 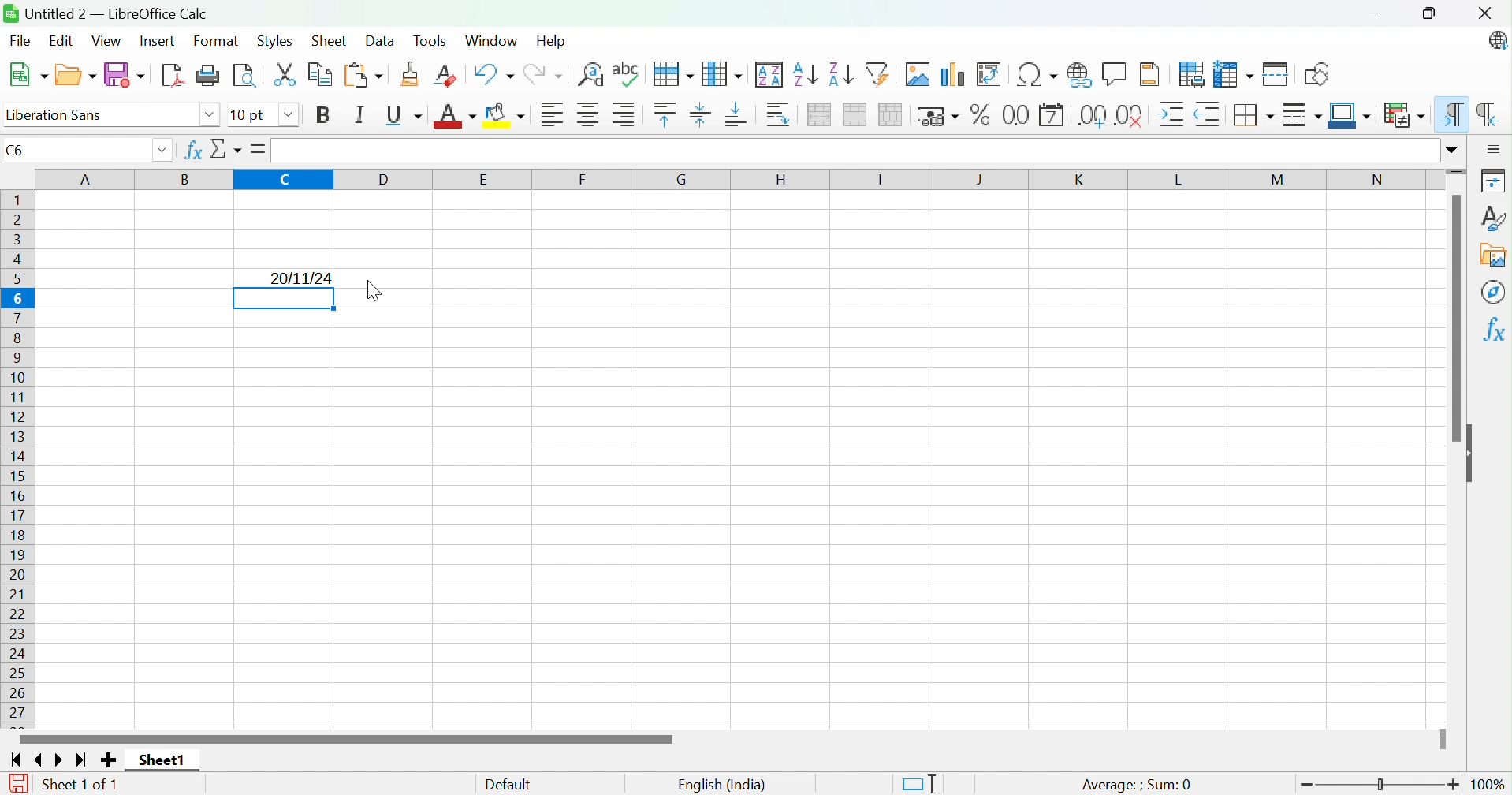 What do you see at coordinates (1456, 319) in the screenshot?
I see `Scroll bar` at bounding box center [1456, 319].